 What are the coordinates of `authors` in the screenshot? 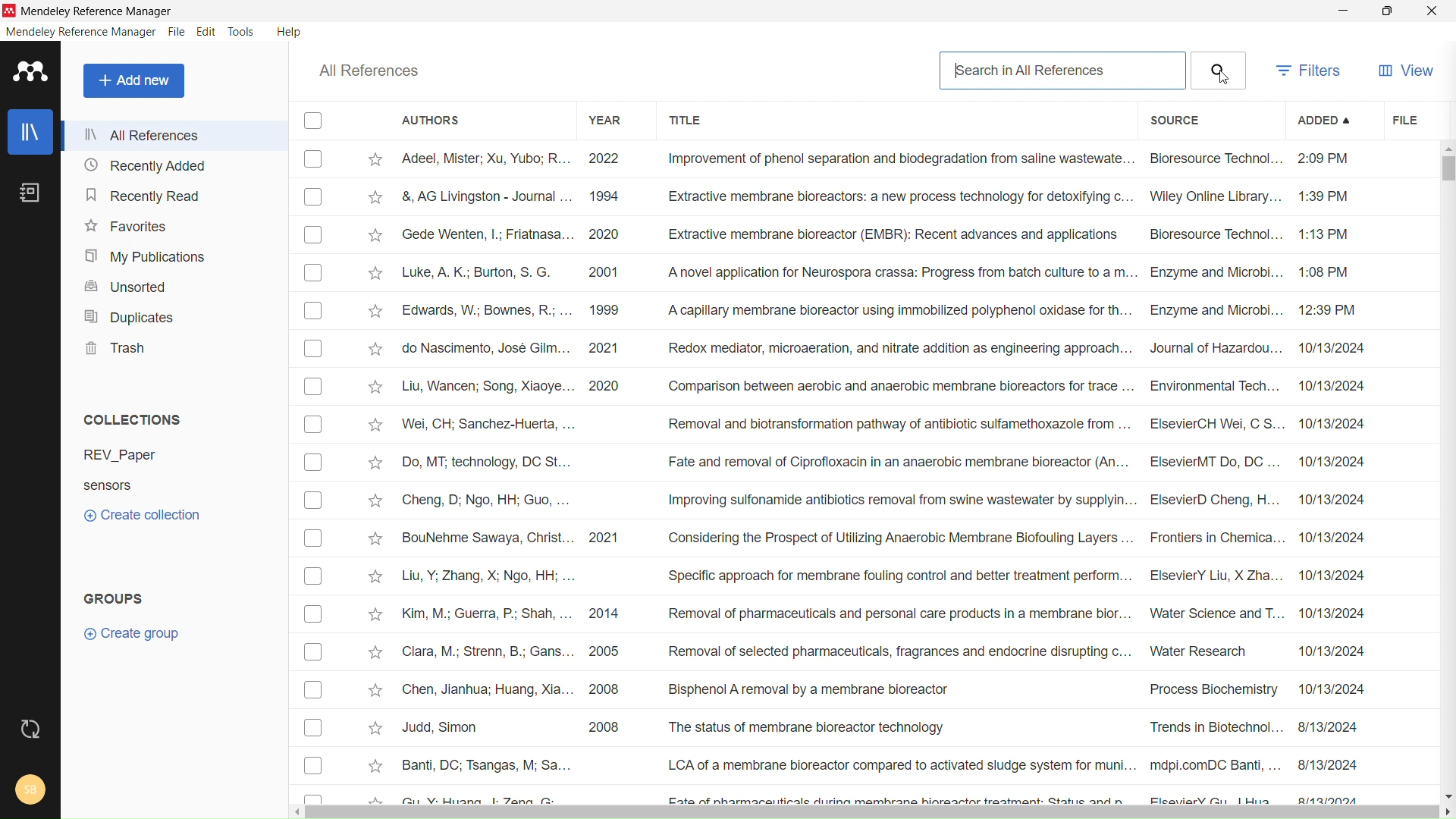 It's located at (452, 121).